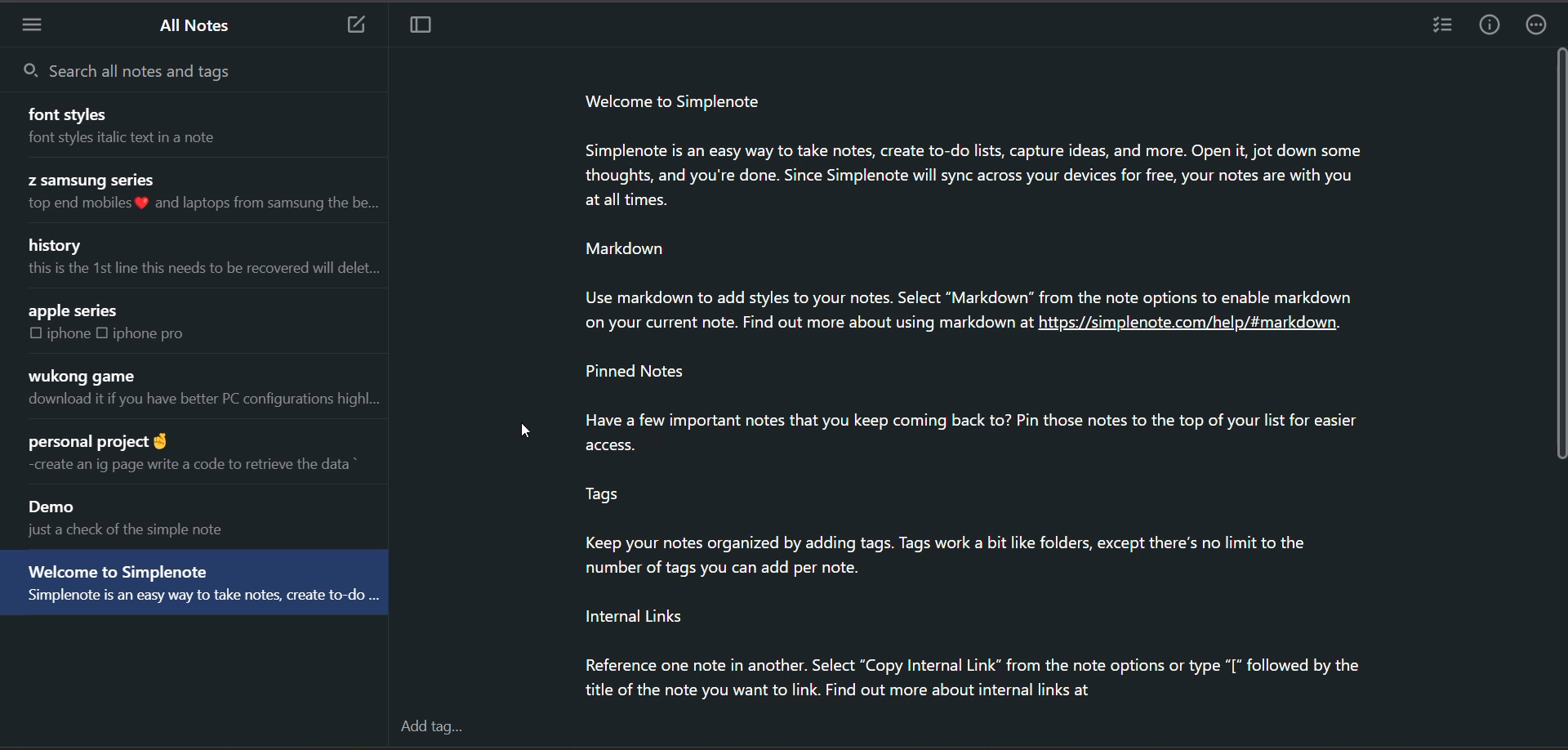 This screenshot has width=1568, height=750. Describe the element at coordinates (197, 469) in the screenshot. I see ` -create an ig page write a code to retrieve the data *` at that location.